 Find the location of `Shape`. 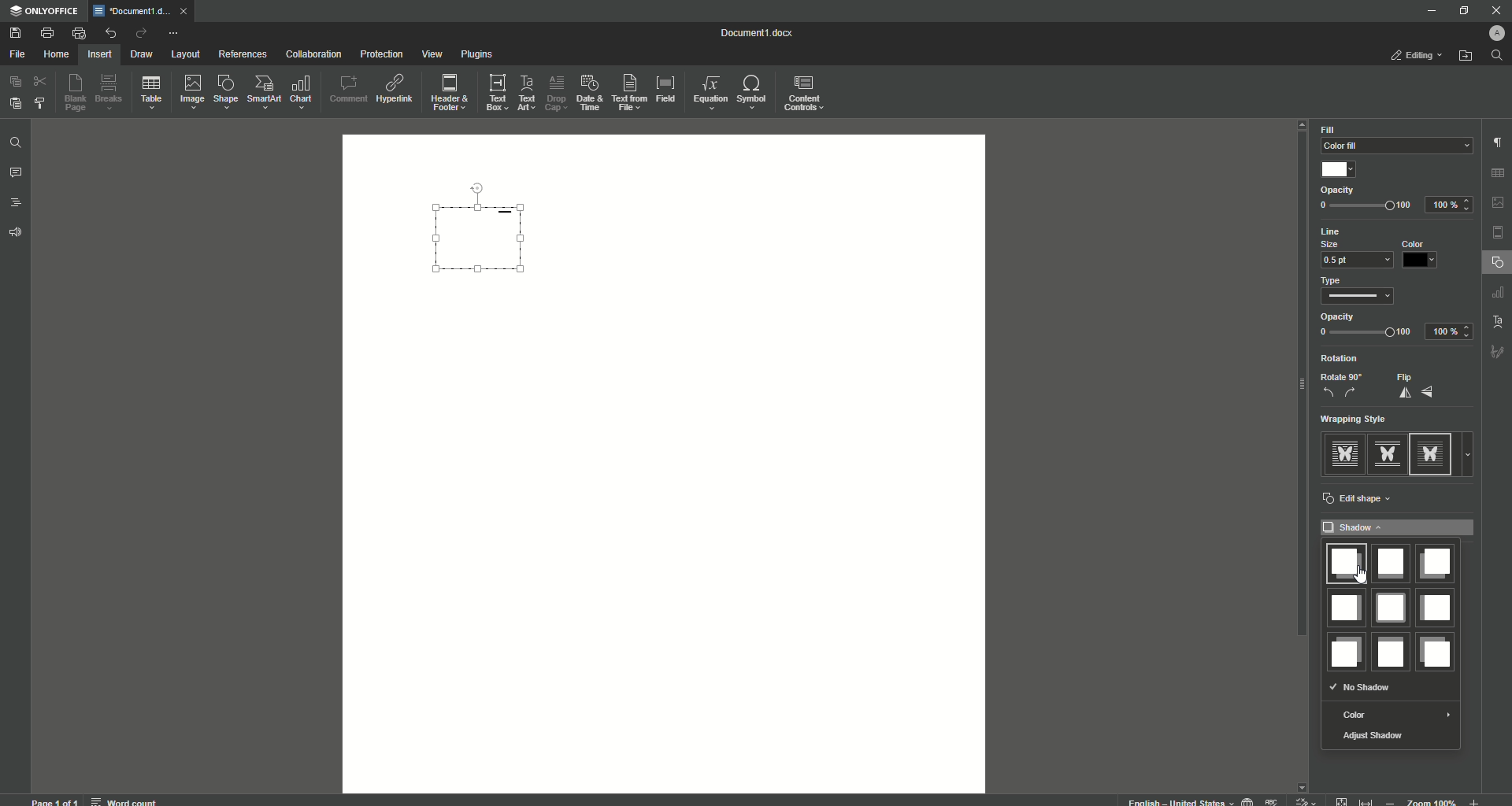

Shape is located at coordinates (224, 91).